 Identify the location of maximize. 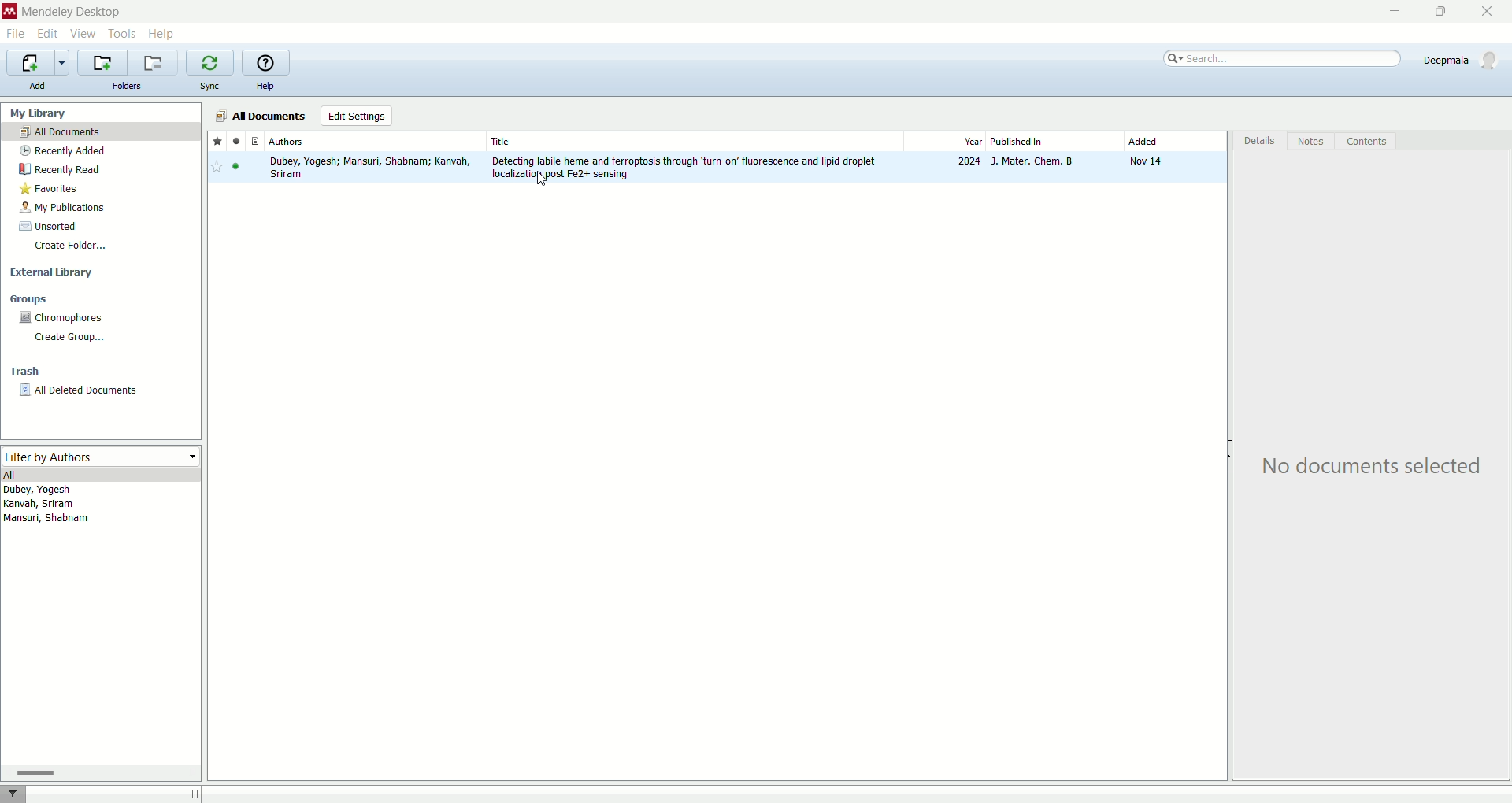
(1442, 11).